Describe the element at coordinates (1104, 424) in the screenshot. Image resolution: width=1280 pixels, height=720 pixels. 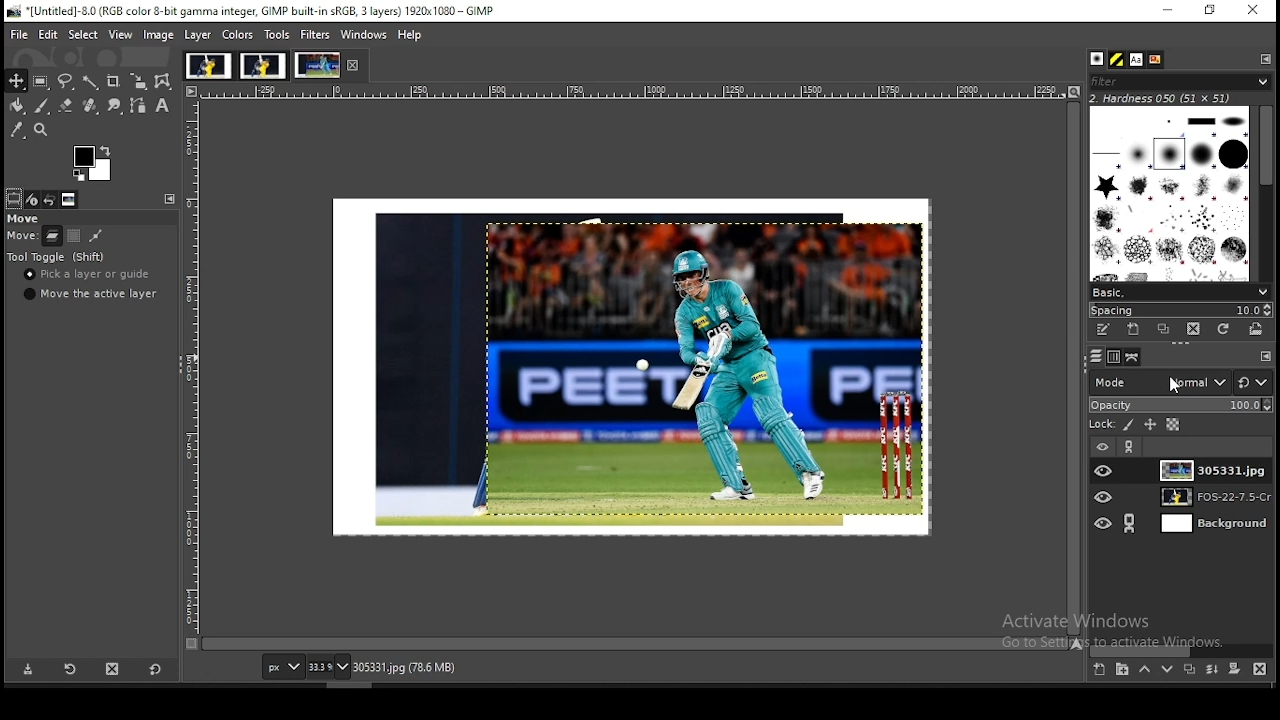
I see `lock` at that location.